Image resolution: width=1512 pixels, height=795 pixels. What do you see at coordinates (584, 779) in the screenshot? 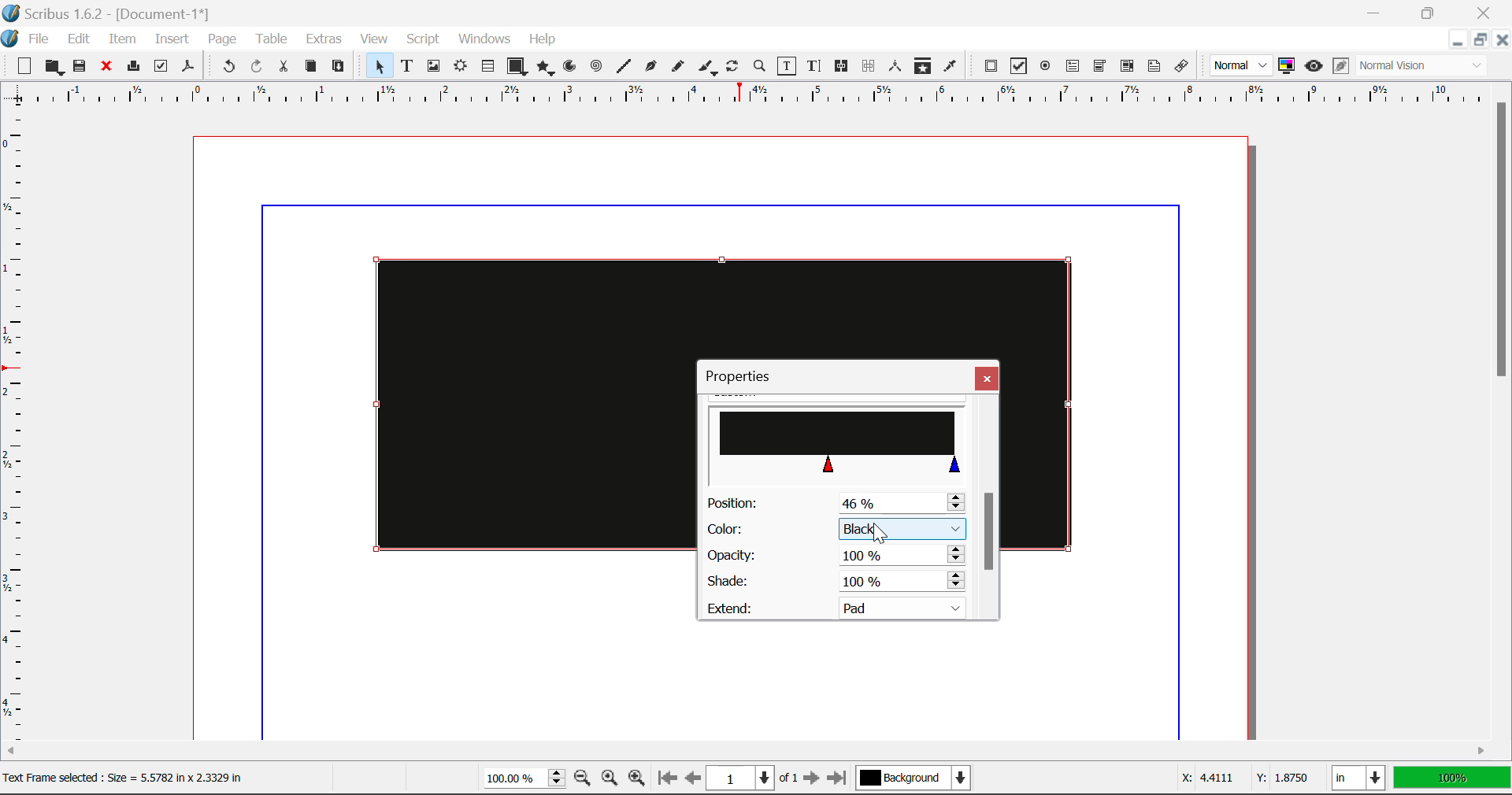
I see `Zoom Out` at bounding box center [584, 779].